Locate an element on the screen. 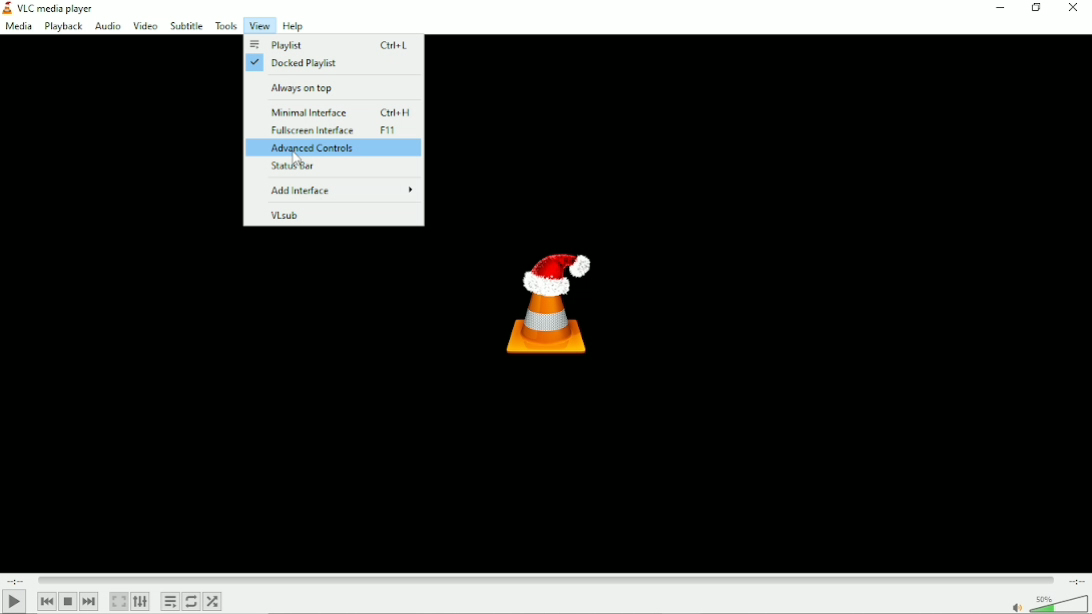 The width and height of the screenshot is (1092, 614). Previous is located at coordinates (46, 601).